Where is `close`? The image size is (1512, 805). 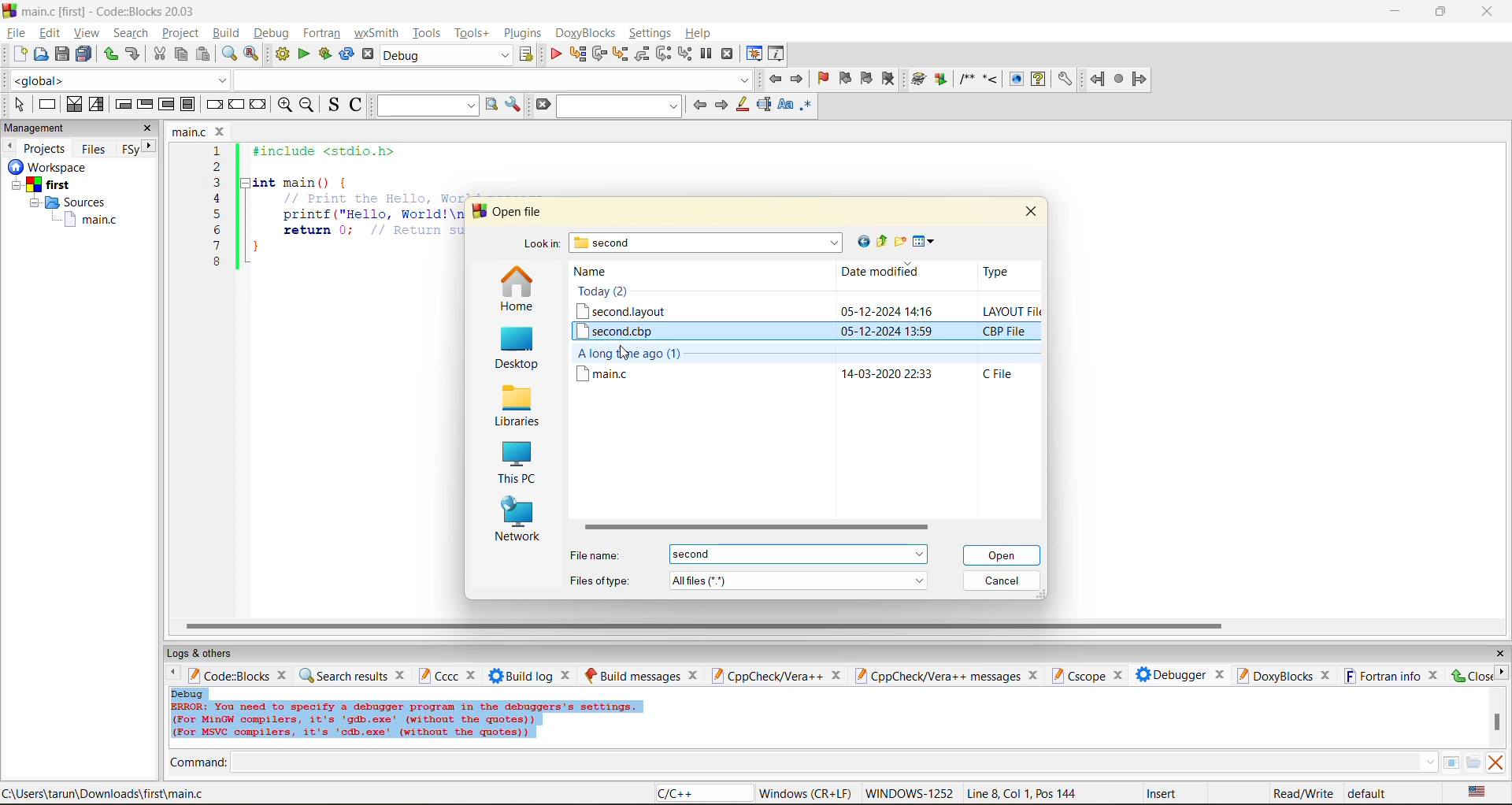
close is located at coordinates (694, 675).